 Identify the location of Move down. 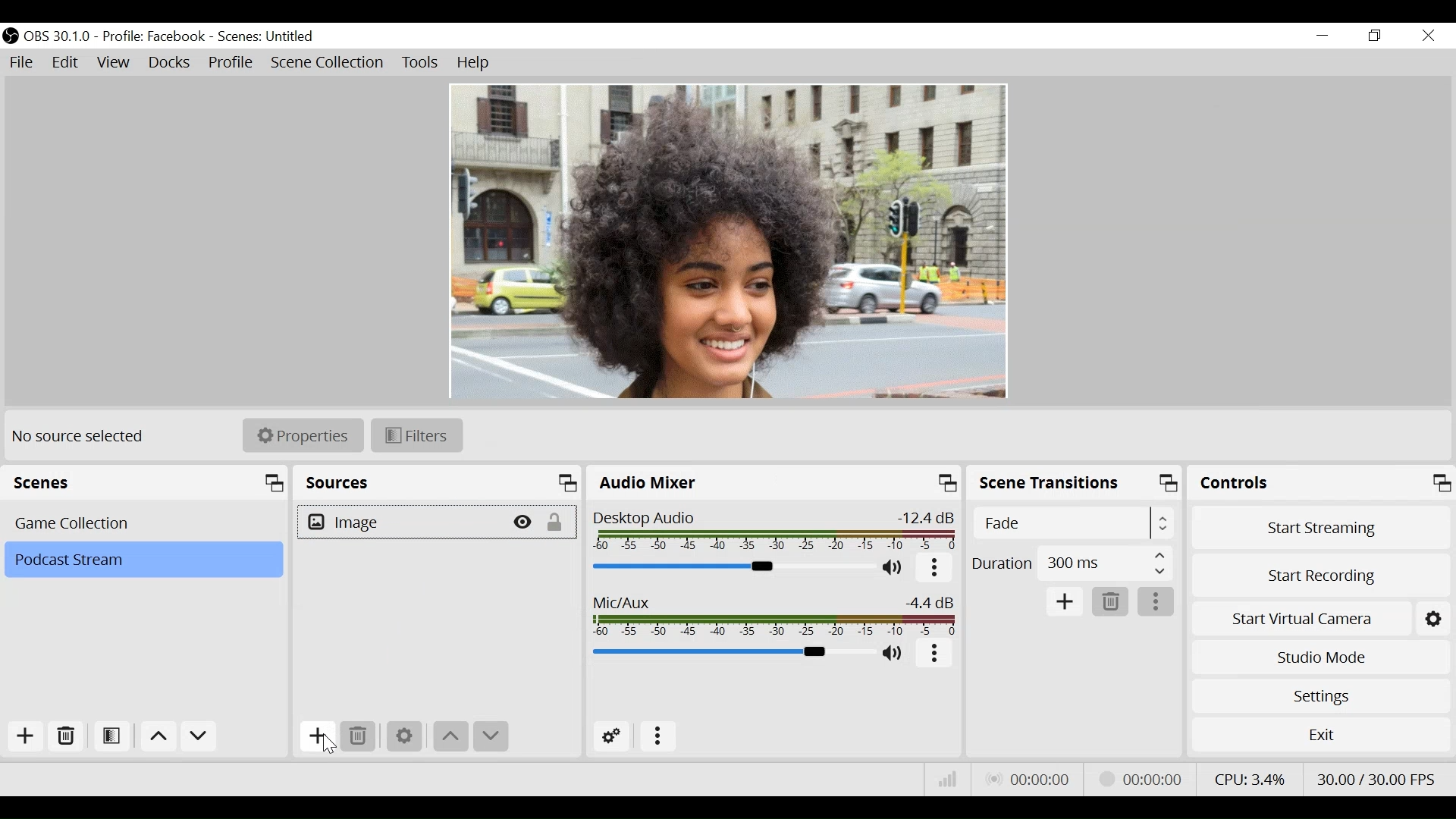
(490, 738).